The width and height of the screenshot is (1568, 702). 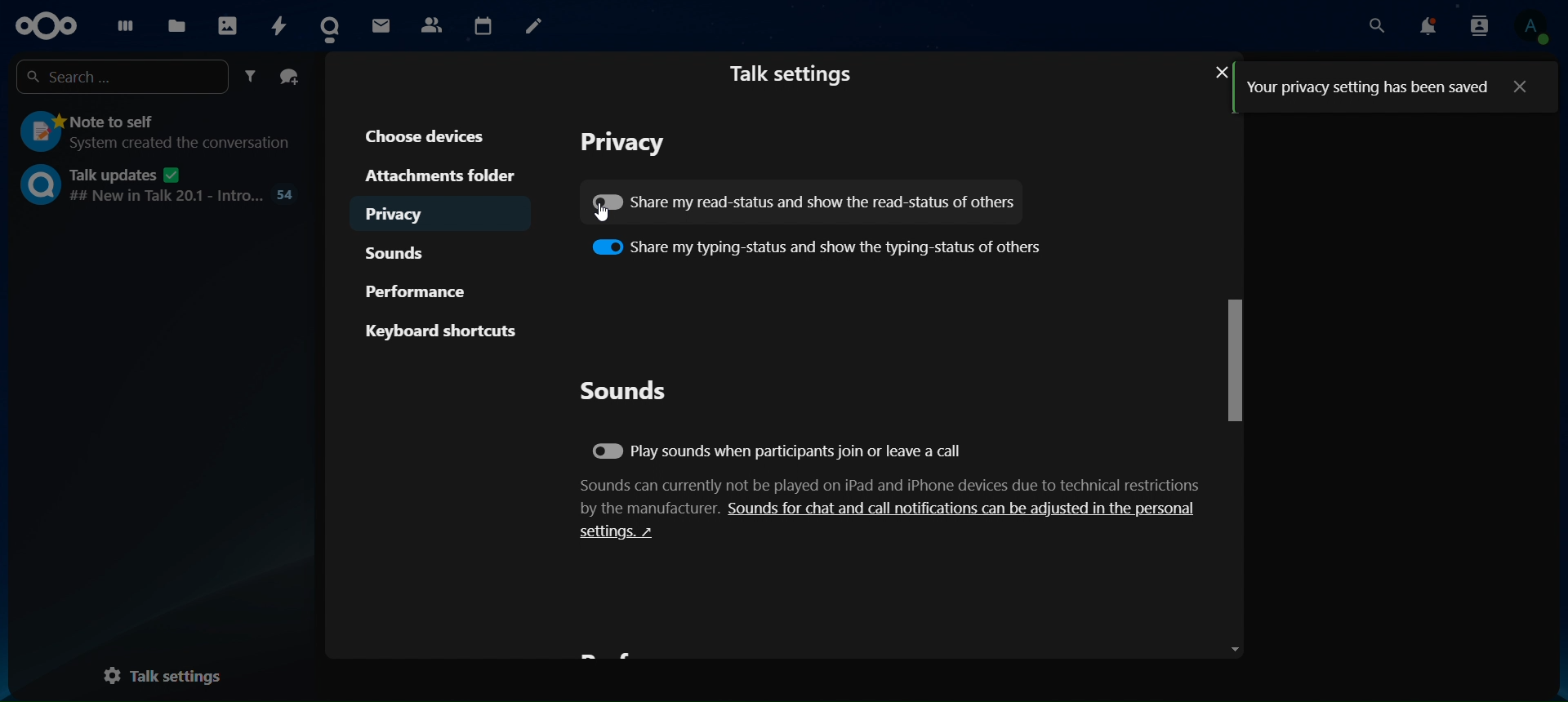 I want to click on notes, so click(x=532, y=26).